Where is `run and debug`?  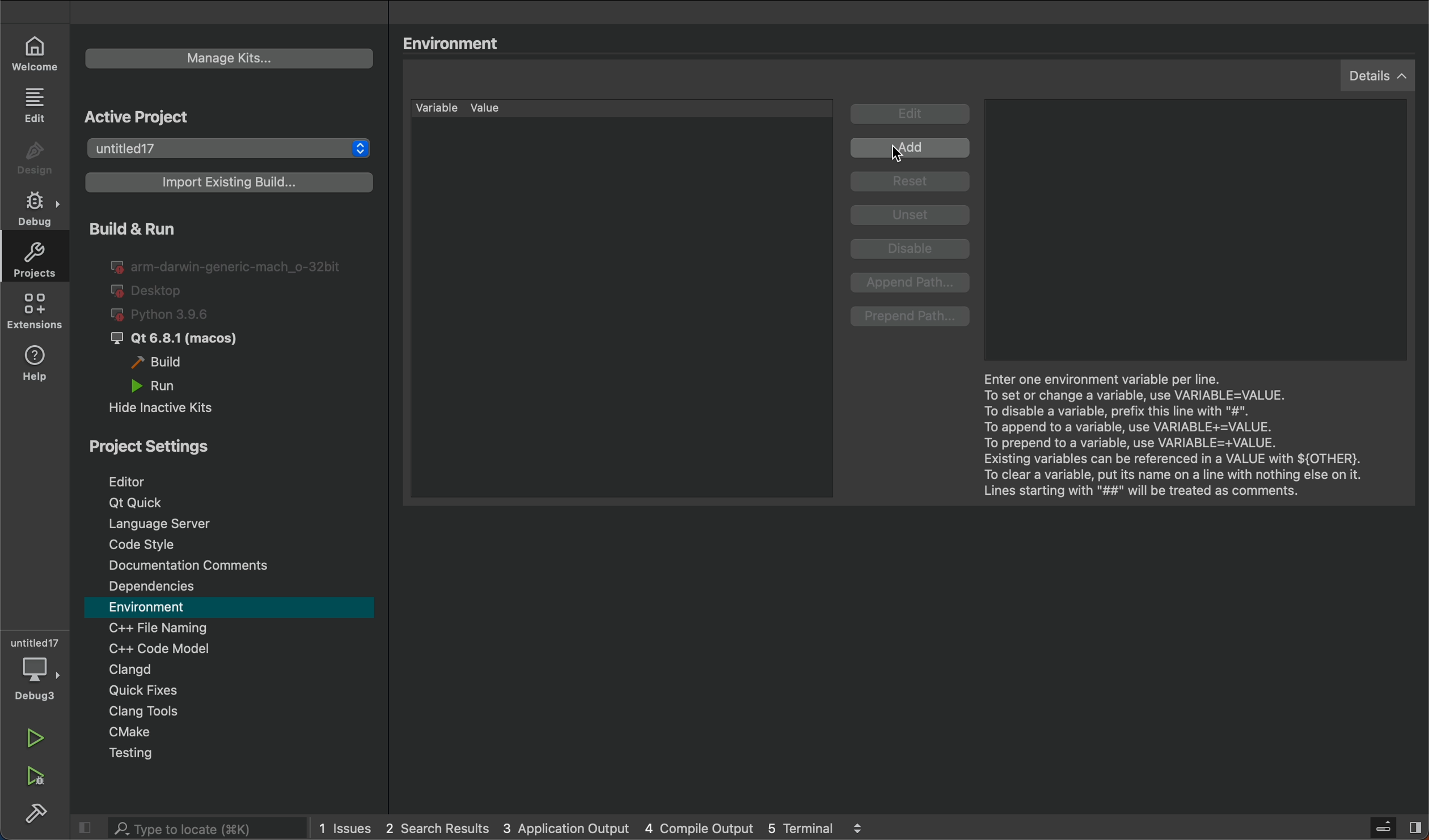 run and debug is located at coordinates (40, 778).